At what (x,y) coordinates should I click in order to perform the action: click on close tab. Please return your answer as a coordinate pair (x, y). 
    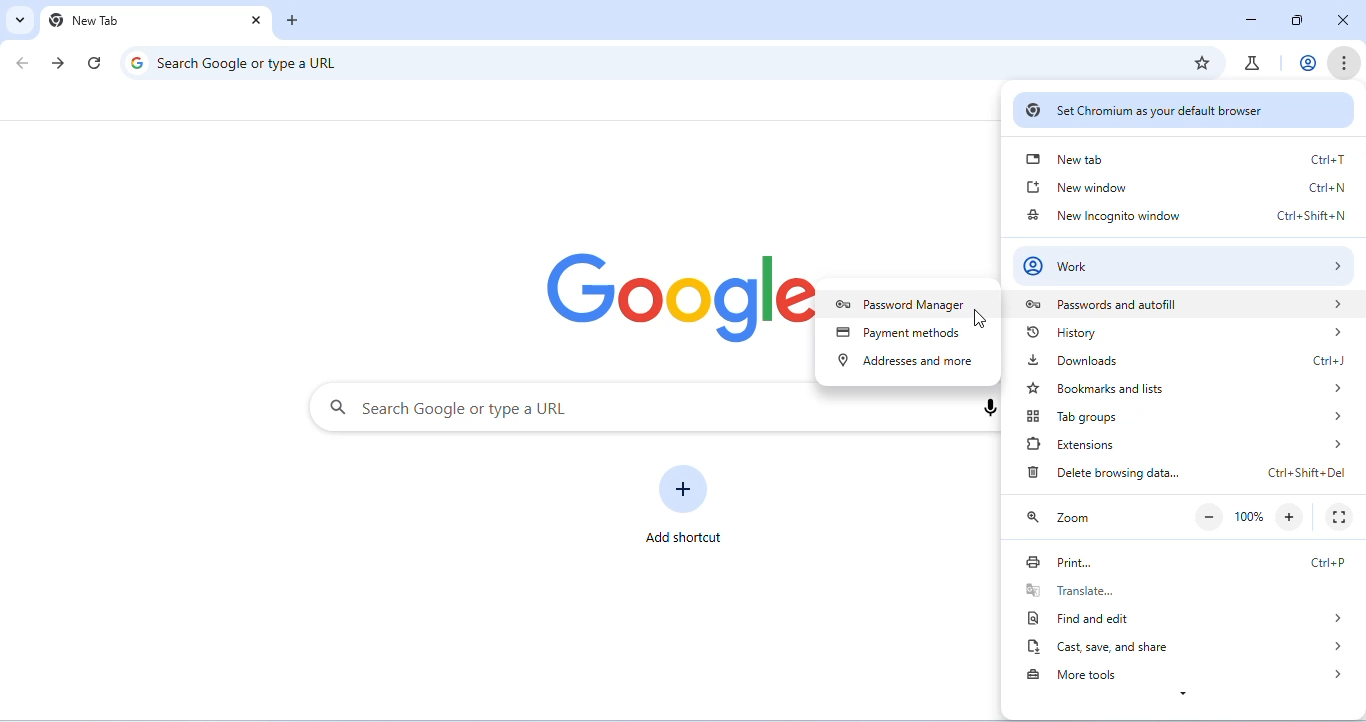
    Looking at the image, I should click on (254, 20).